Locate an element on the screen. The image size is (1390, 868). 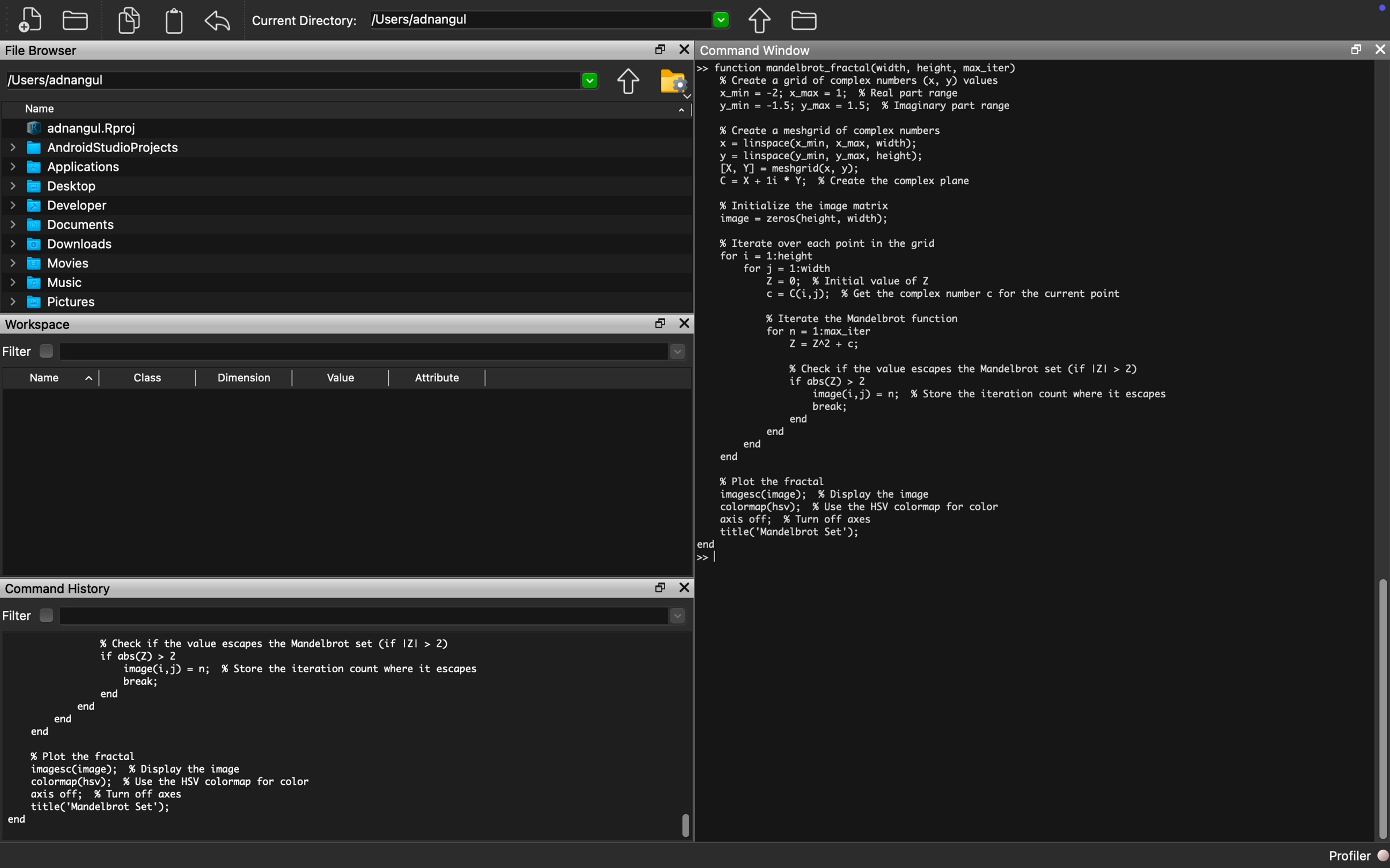
Dropdown is located at coordinates (374, 615).